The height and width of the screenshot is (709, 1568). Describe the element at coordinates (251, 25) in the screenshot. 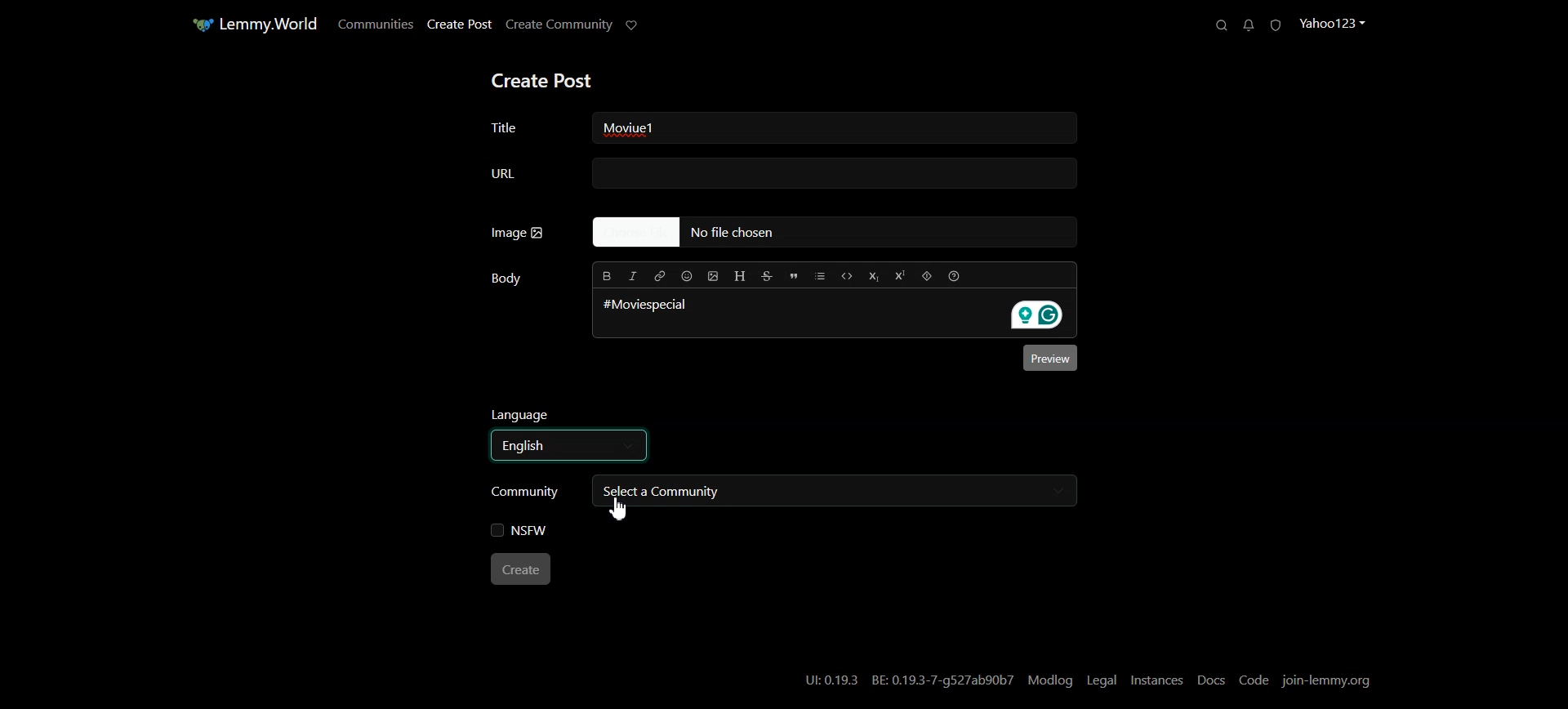

I see `Home Page` at that location.